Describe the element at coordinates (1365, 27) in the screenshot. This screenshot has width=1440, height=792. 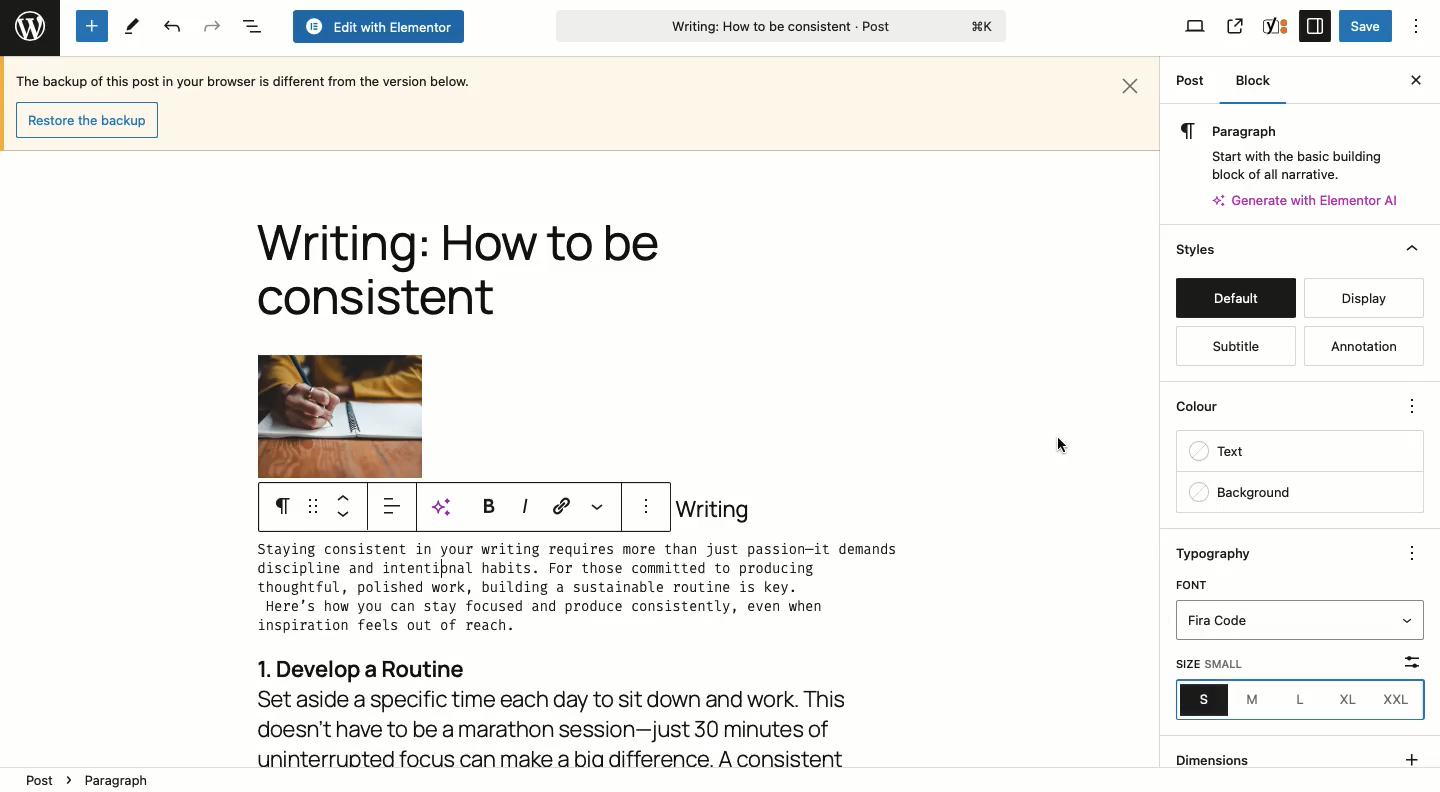
I see `Save` at that location.